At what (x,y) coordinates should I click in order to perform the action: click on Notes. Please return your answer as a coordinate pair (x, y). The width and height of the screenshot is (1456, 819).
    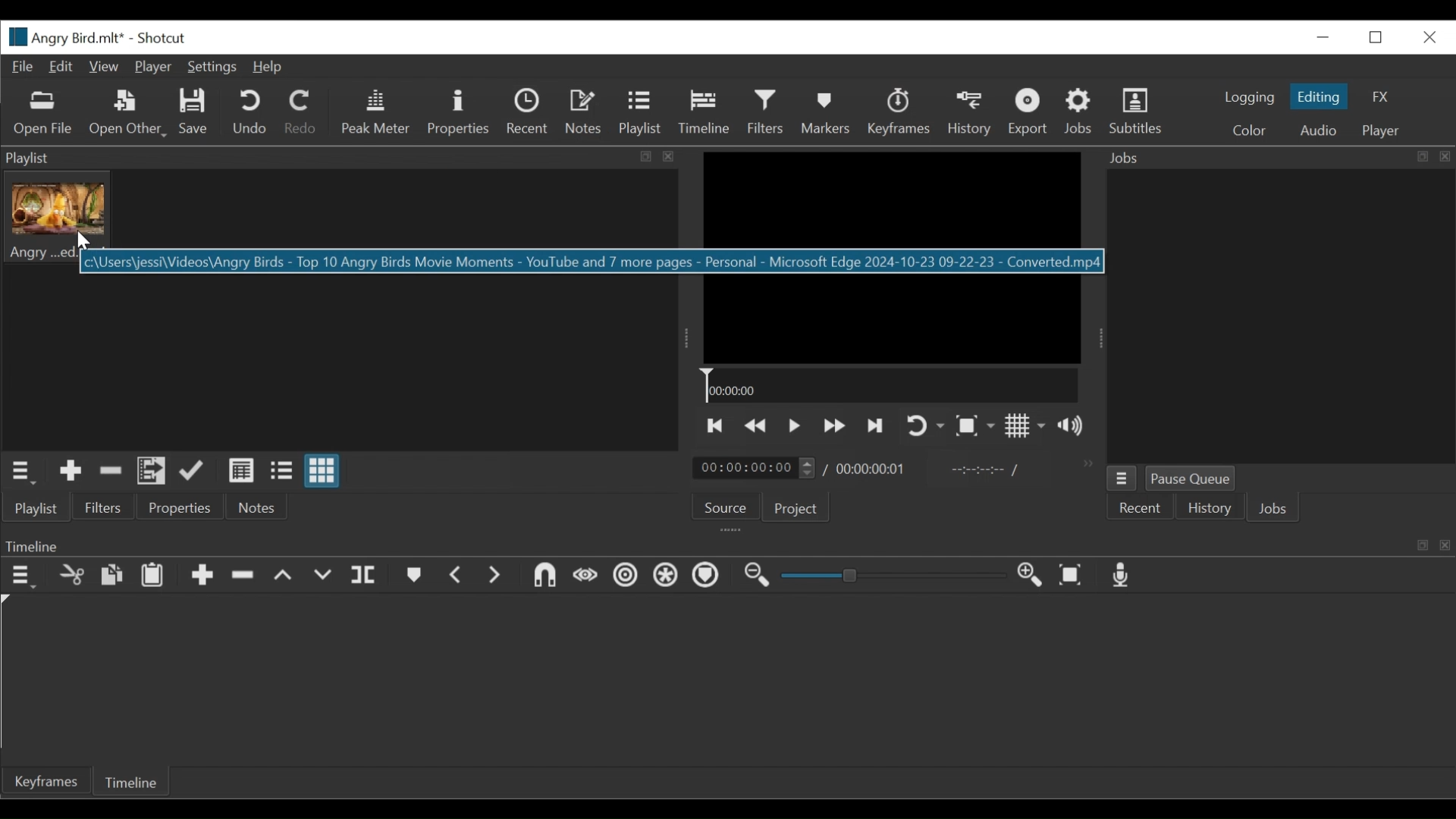
    Looking at the image, I should click on (254, 507).